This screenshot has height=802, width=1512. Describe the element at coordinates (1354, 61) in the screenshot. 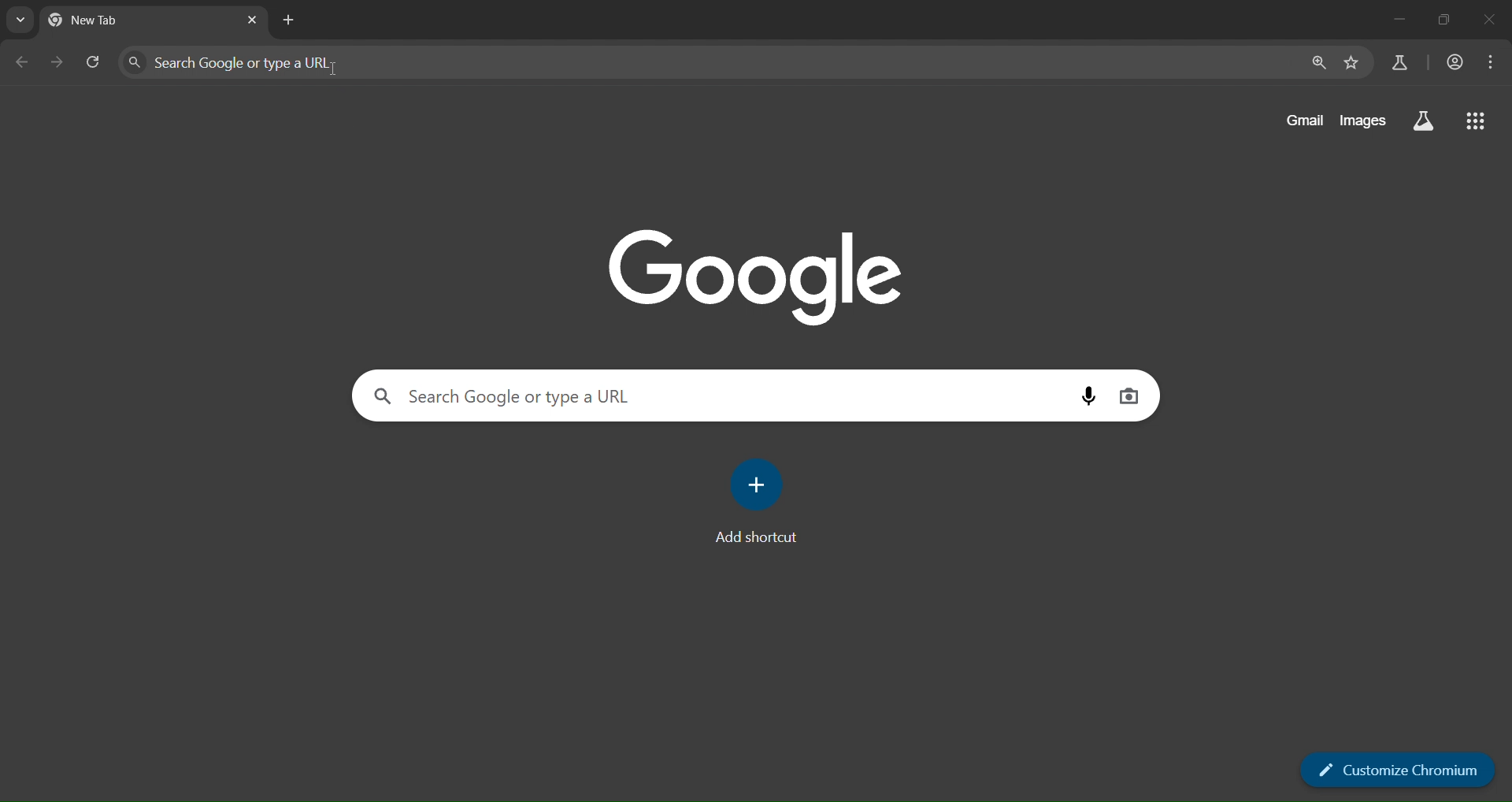

I see `bookmark page` at that location.